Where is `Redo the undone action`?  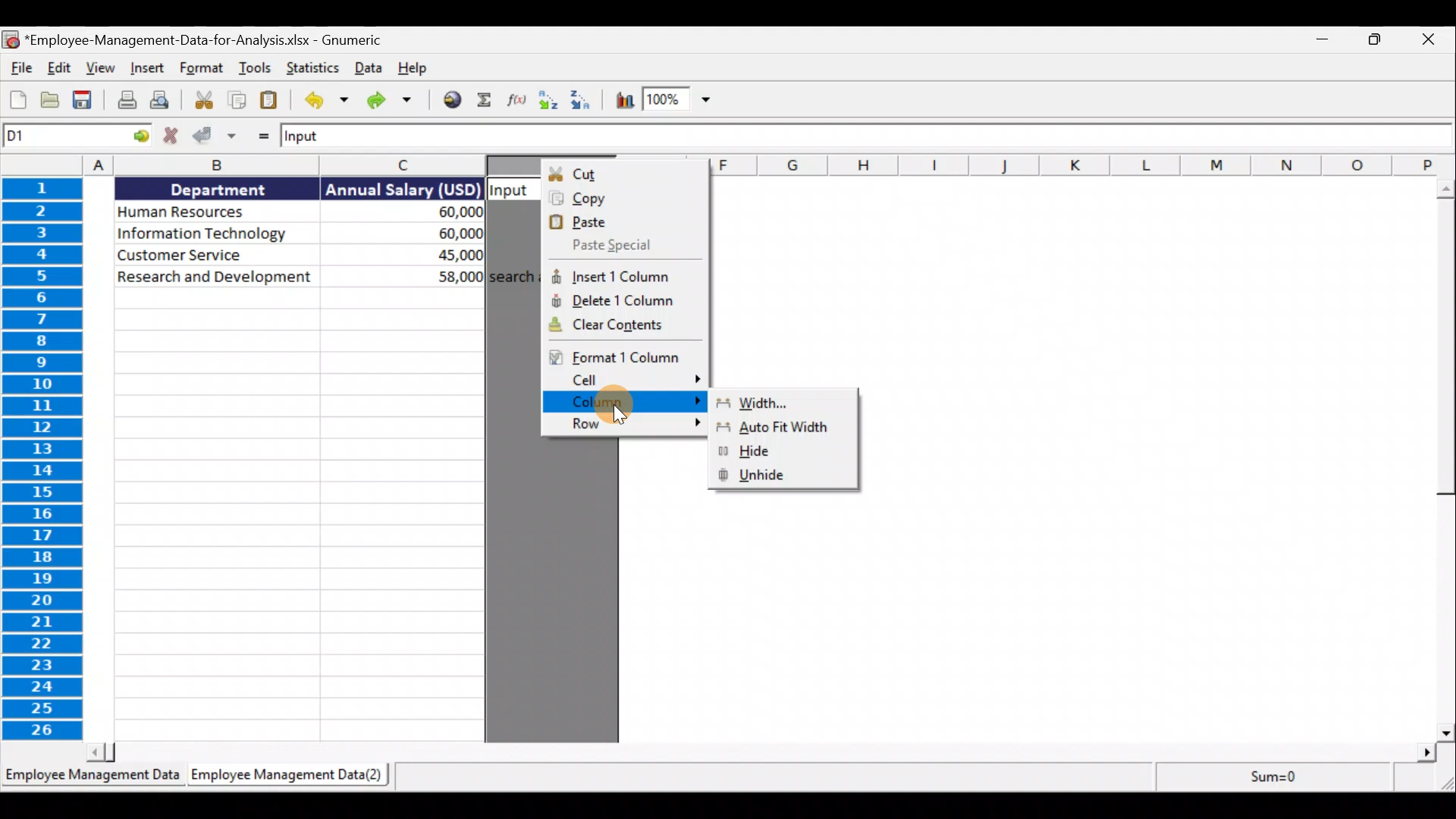
Redo the undone action is located at coordinates (394, 100).